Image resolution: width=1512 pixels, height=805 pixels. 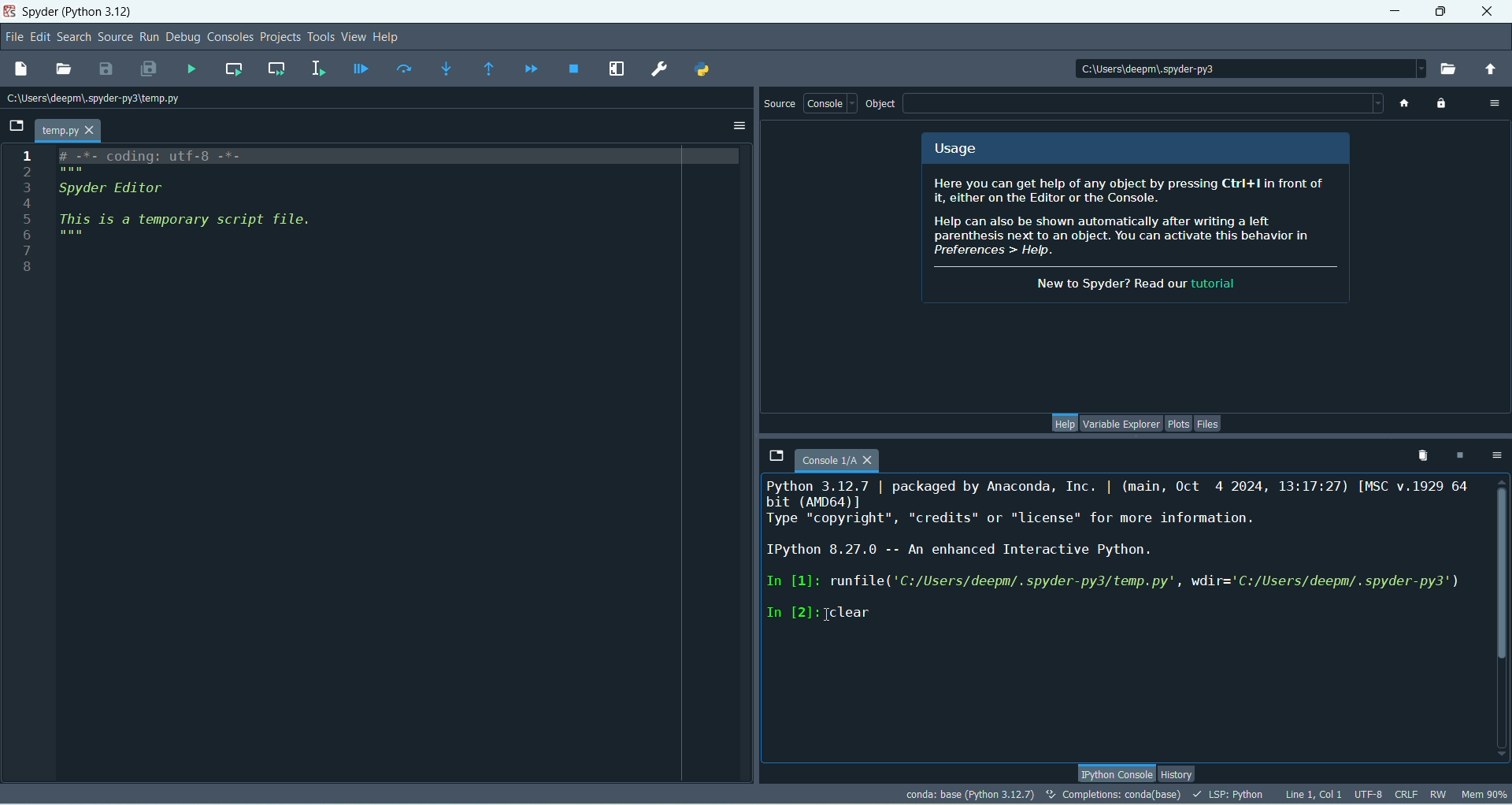 What do you see at coordinates (969, 794) in the screenshot?
I see `conda:base` at bounding box center [969, 794].